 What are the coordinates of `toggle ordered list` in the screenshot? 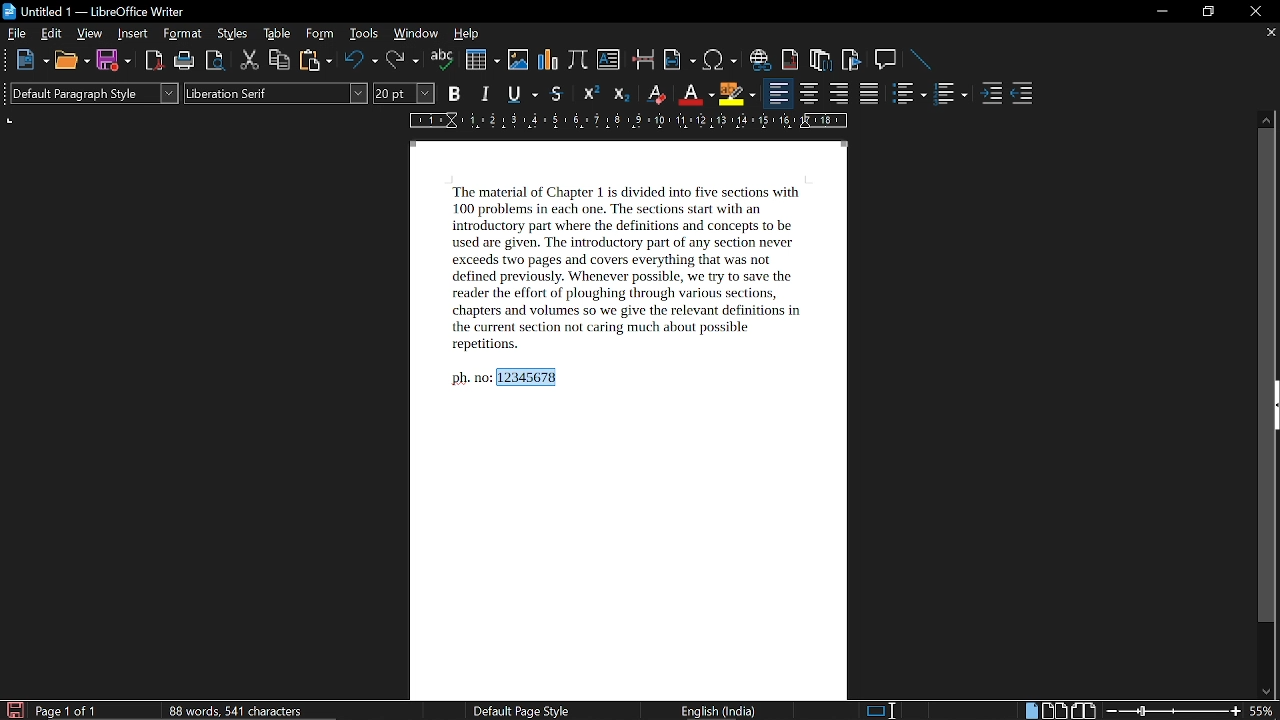 It's located at (951, 96).